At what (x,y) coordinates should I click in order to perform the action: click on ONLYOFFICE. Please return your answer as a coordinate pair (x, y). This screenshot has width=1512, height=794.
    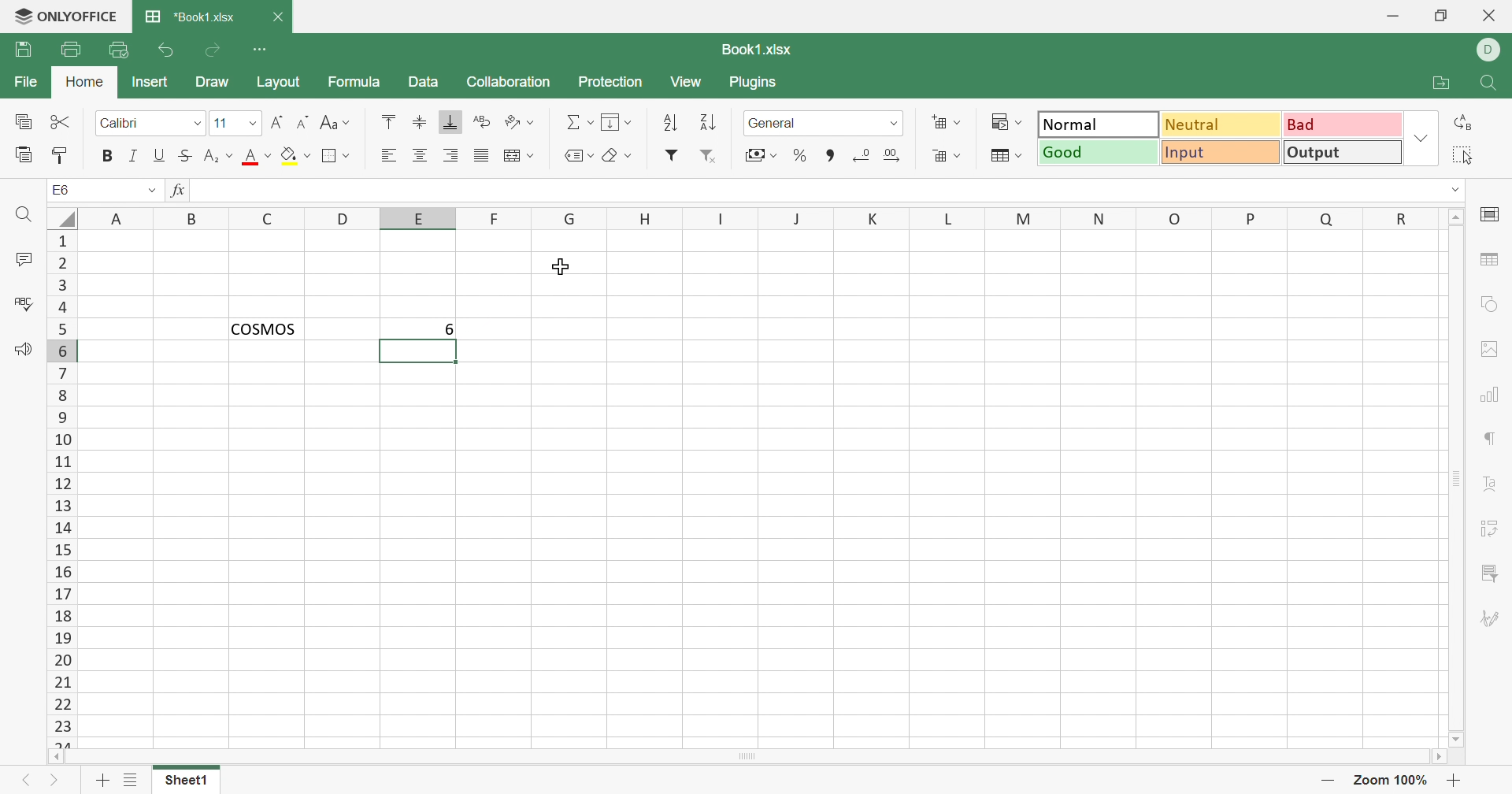
    Looking at the image, I should click on (66, 17).